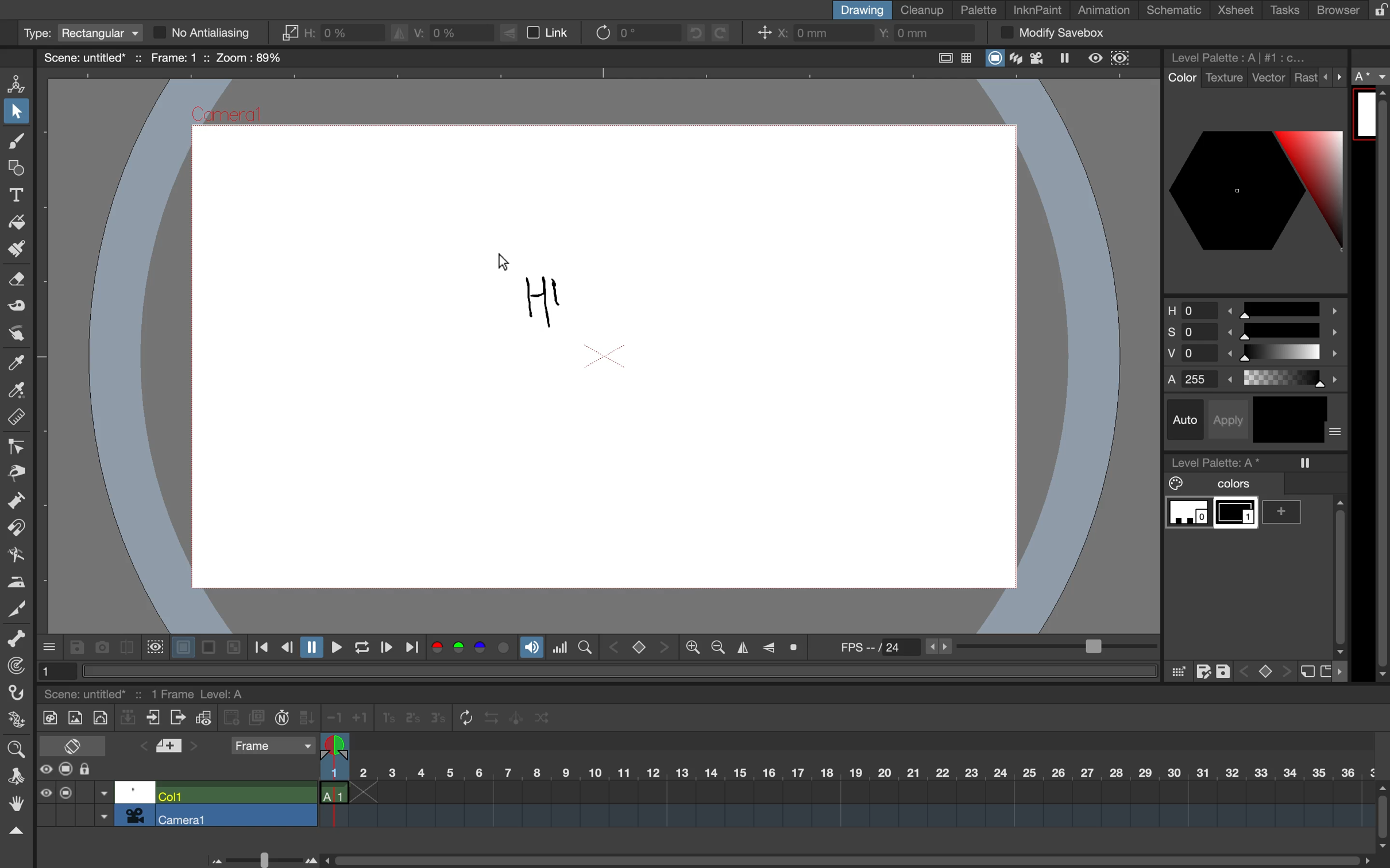 The image size is (1390, 868). I want to click on lock rooms tab, so click(1375, 11).